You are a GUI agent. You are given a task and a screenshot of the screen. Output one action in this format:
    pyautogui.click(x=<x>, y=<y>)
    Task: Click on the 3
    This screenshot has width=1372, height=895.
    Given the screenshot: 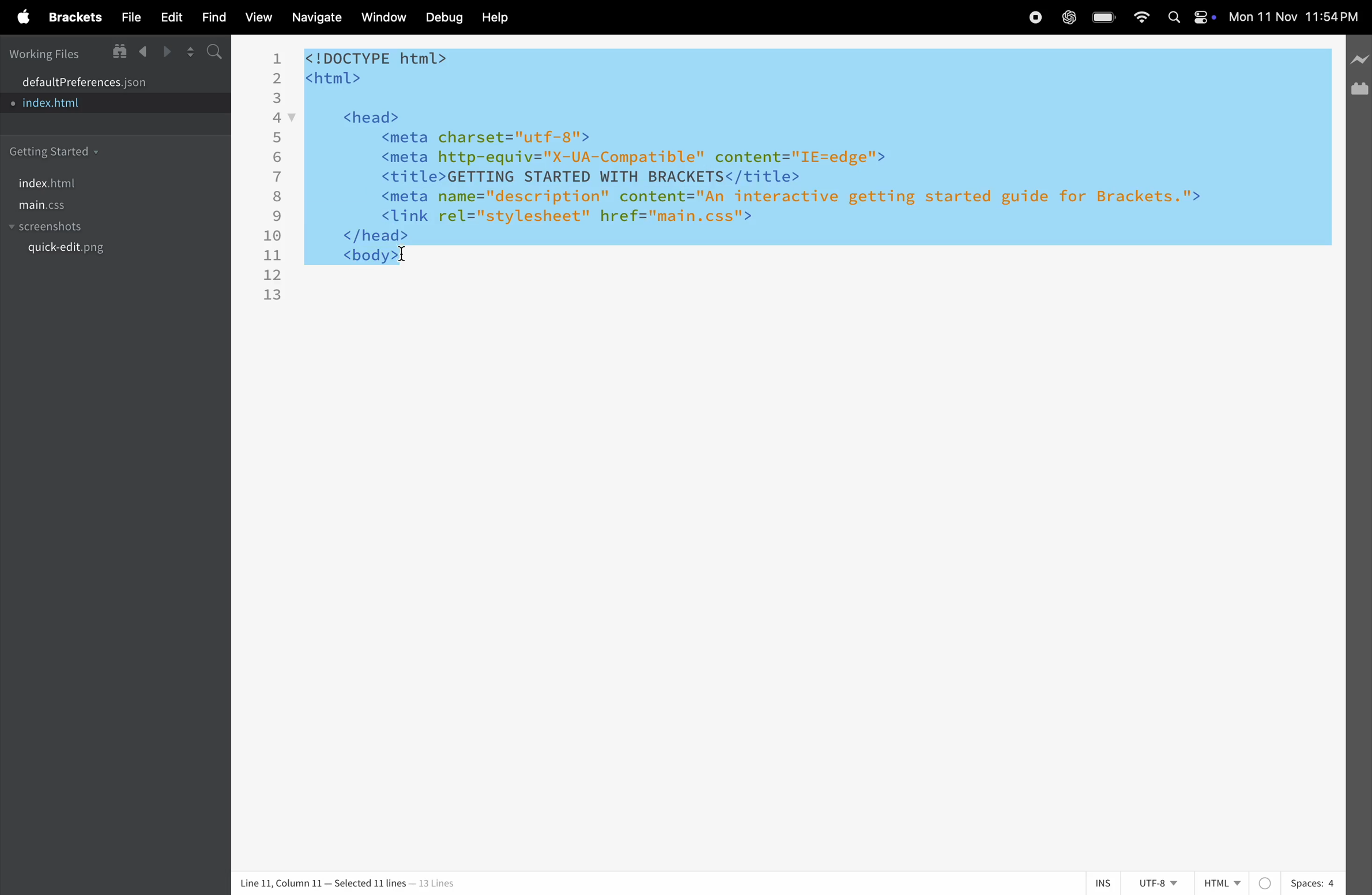 What is the action you would take?
    pyautogui.click(x=278, y=99)
    